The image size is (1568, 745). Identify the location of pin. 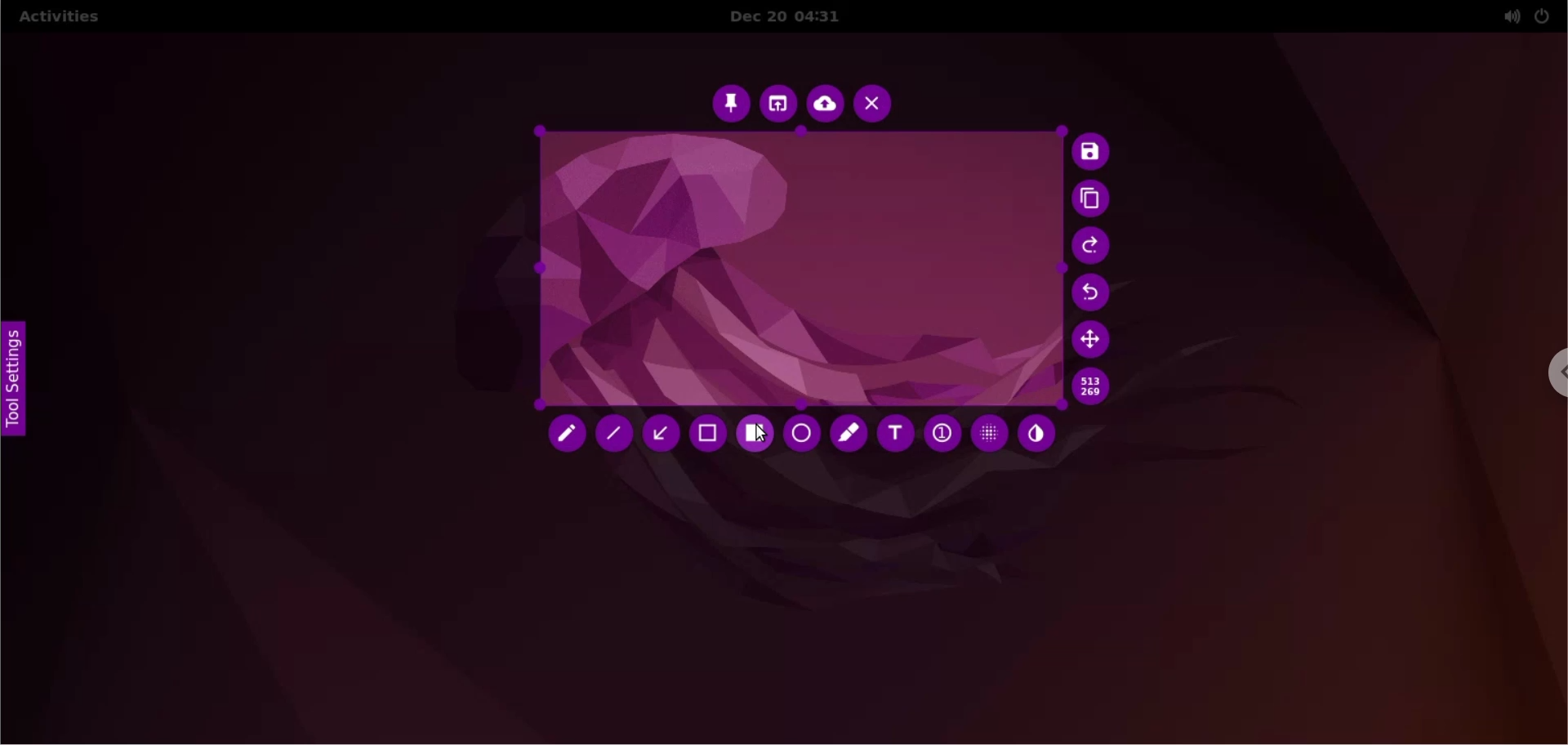
(731, 103).